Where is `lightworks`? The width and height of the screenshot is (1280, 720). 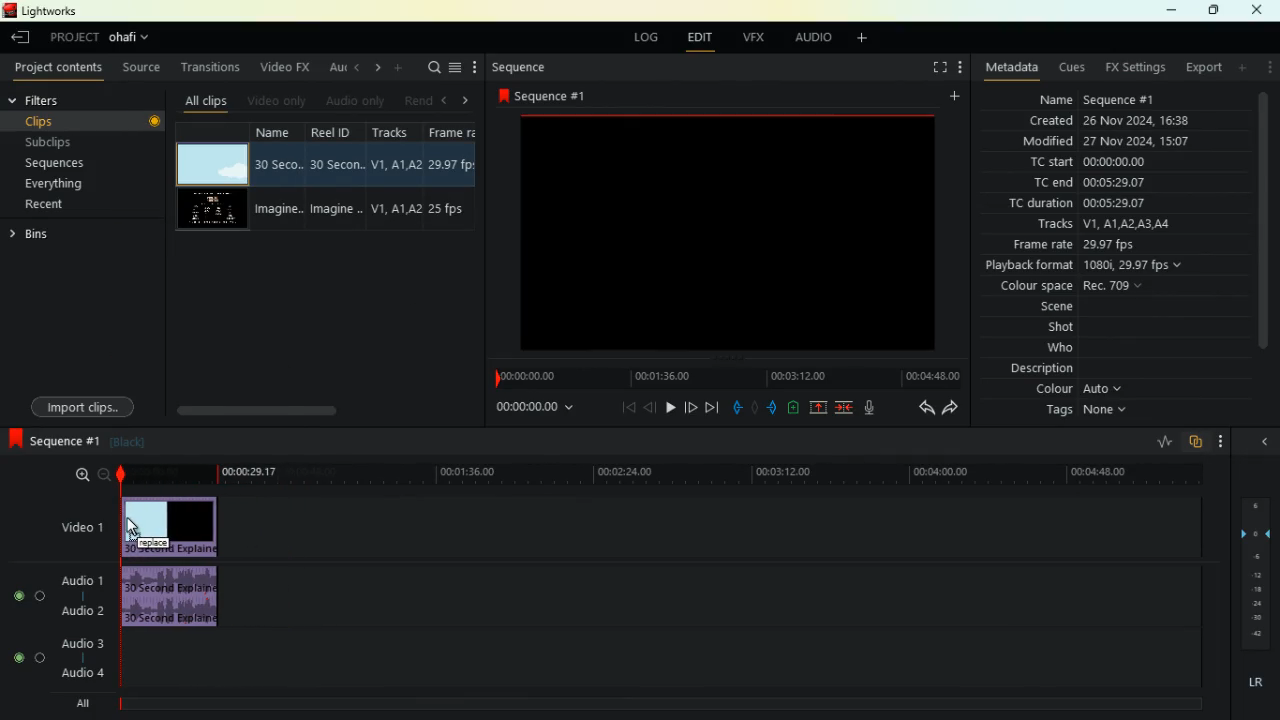
lightworks is located at coordinates (43, 11).